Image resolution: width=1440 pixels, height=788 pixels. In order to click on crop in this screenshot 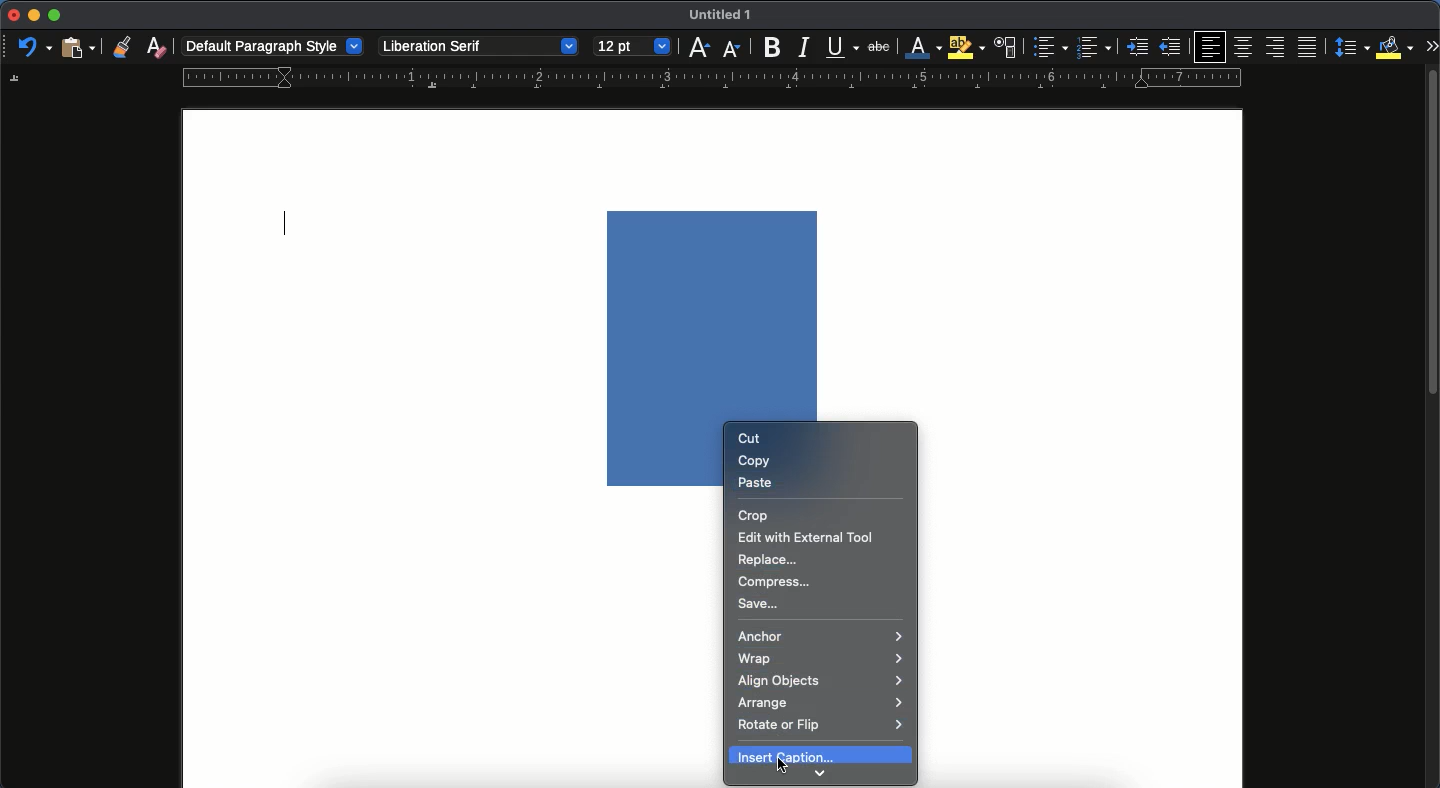, I will do `click(758, 515)`.